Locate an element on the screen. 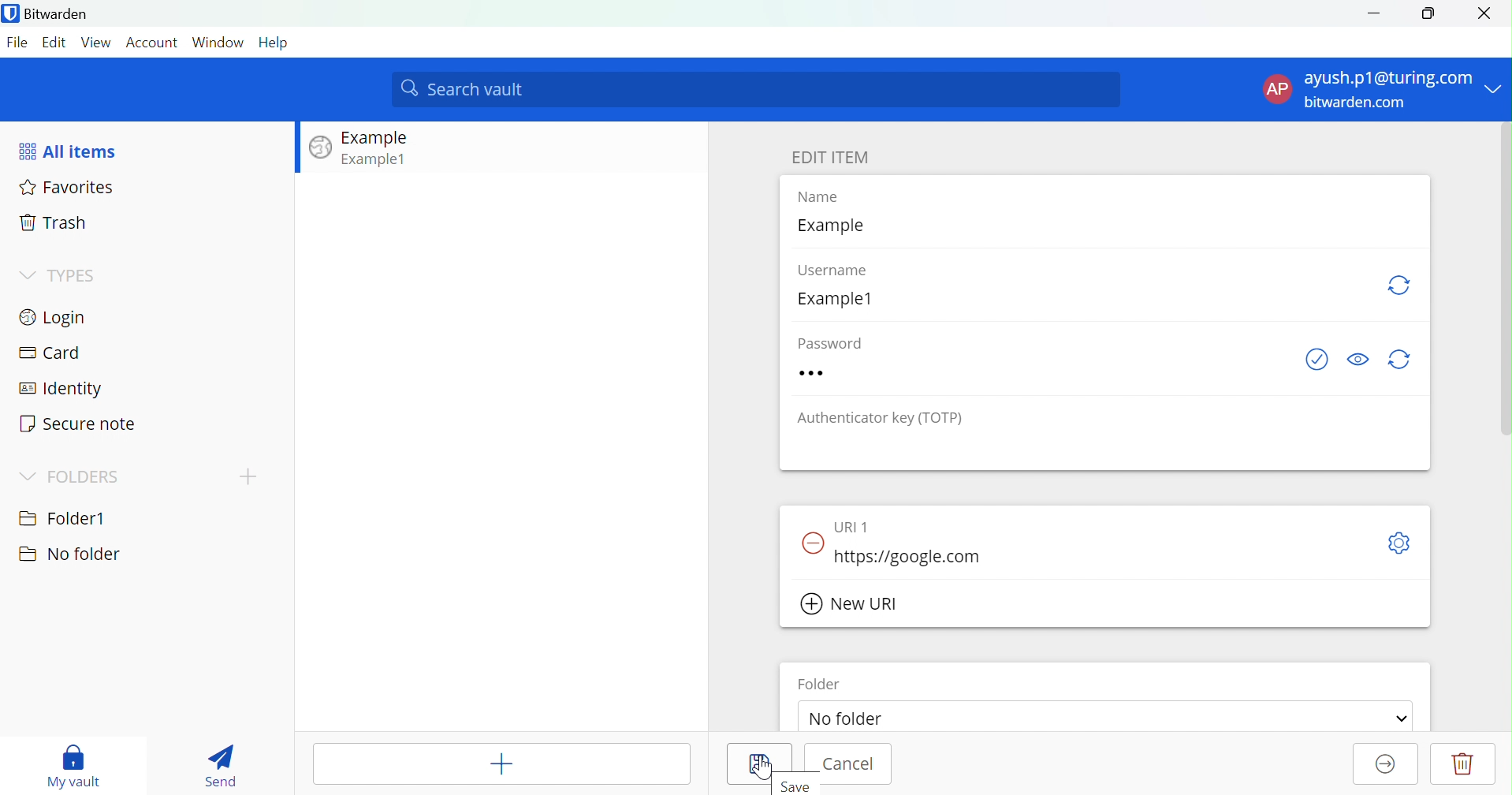 This screenshot has width=1512, height=795. Toggle Options is located at coordinates (1399, 544).